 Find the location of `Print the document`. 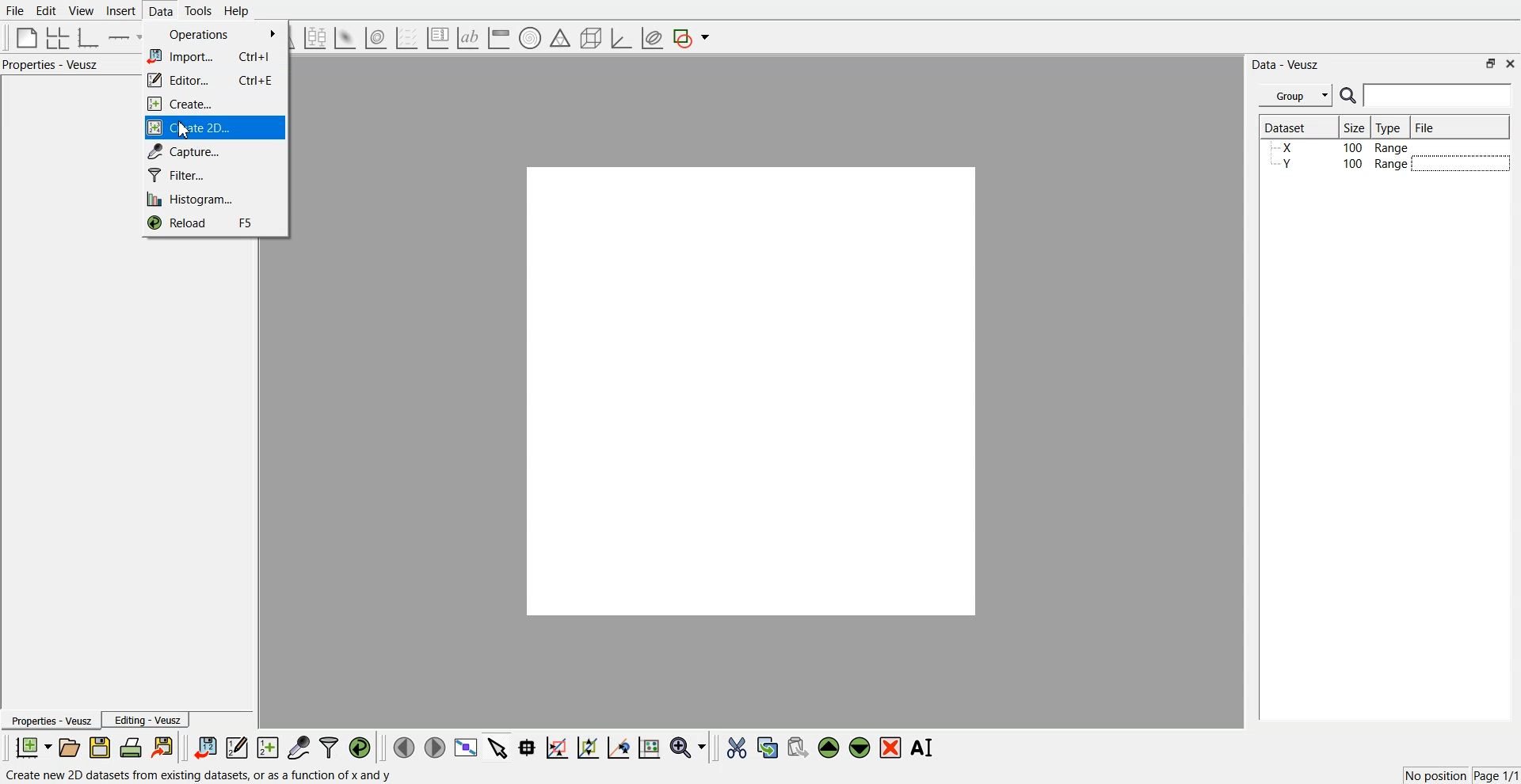

Print the document is located at coordinates (130, 747).